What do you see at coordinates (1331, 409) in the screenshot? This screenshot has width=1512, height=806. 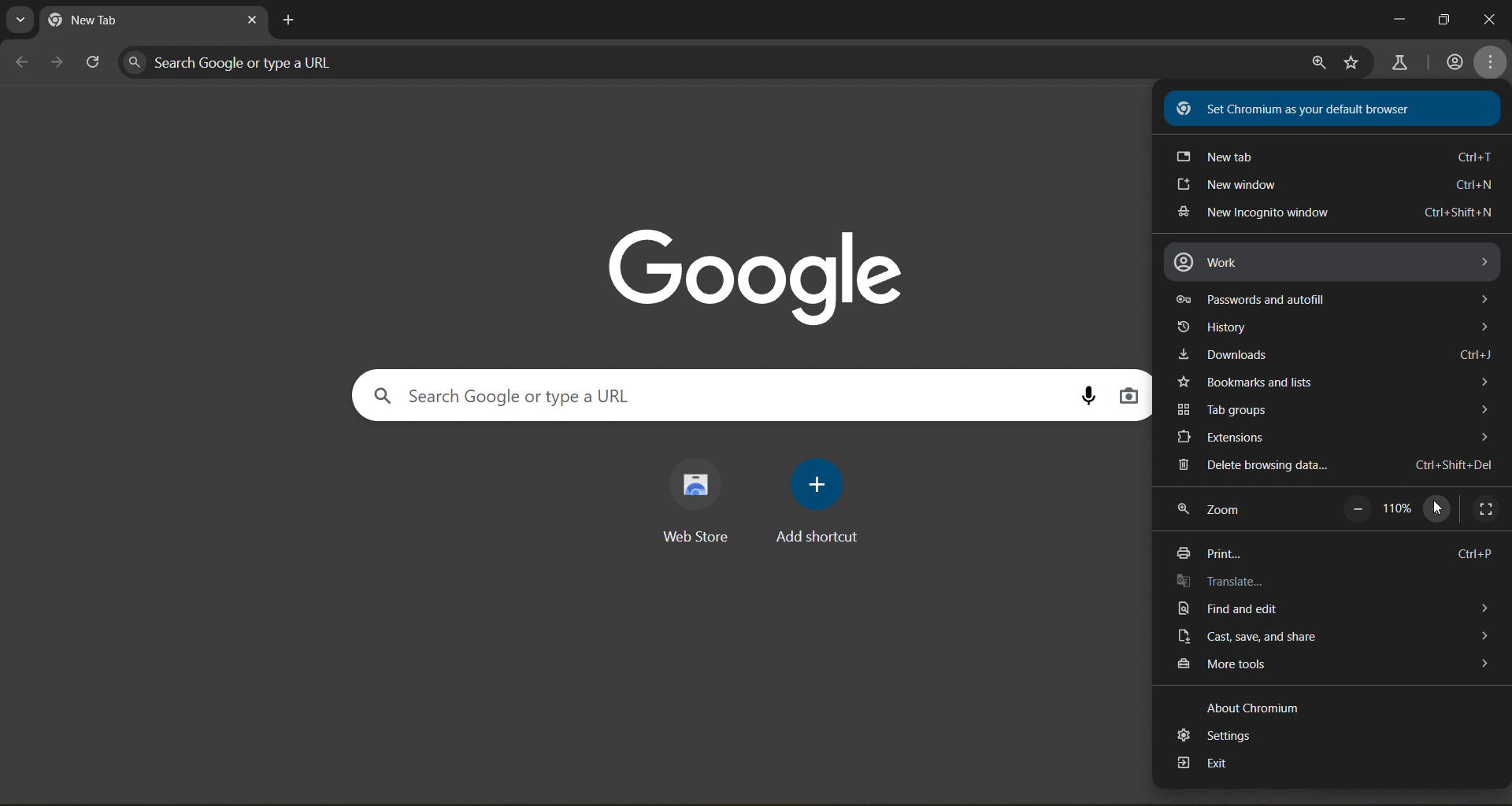 I see `tab groups` at bounding box center [1331, 409].